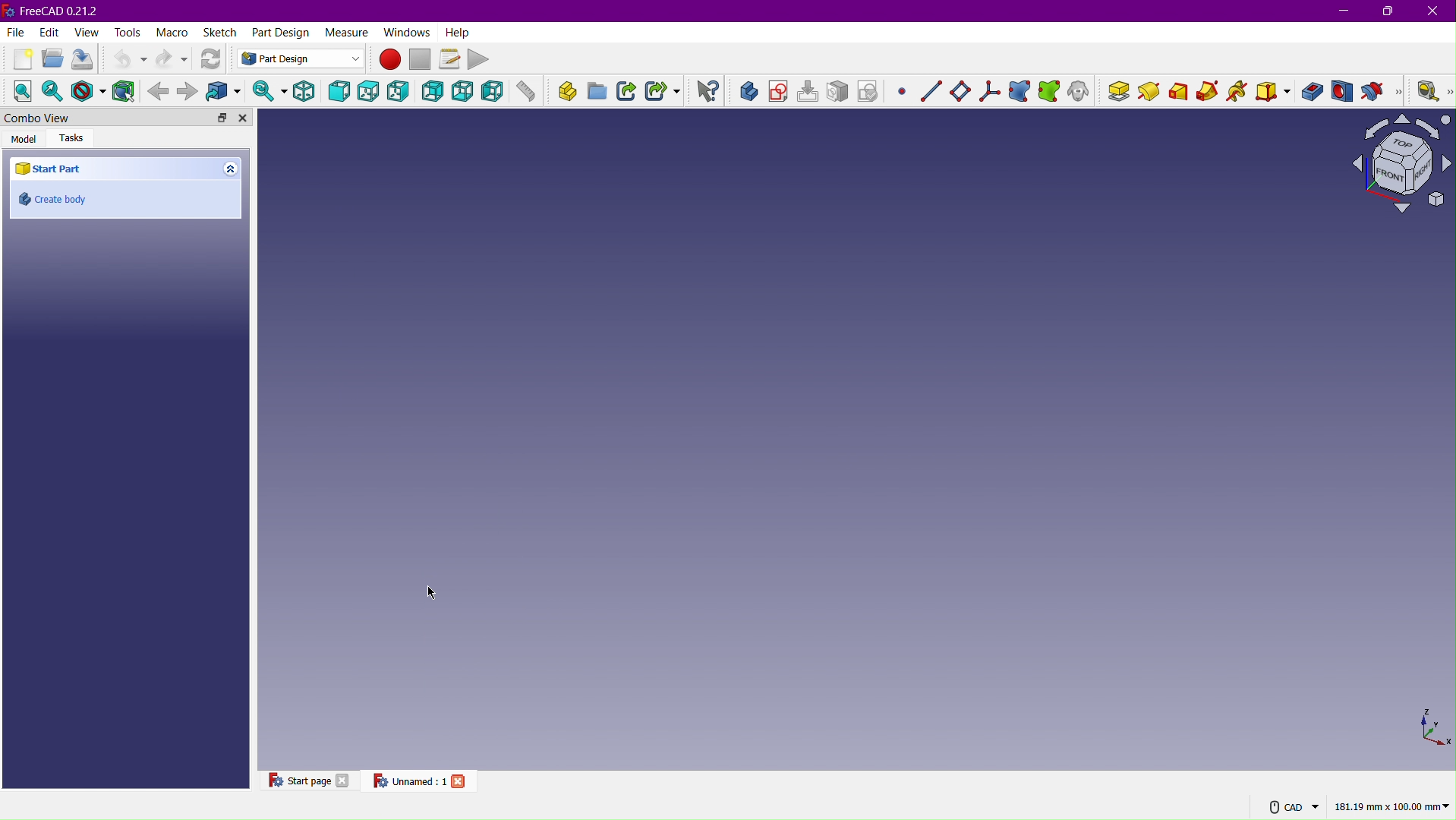 Image resolution: width=1456 pixels, height=820 pixels. Describe the element at coordinates (61, 118) in the screenshot. I see `Combo View` at that location.